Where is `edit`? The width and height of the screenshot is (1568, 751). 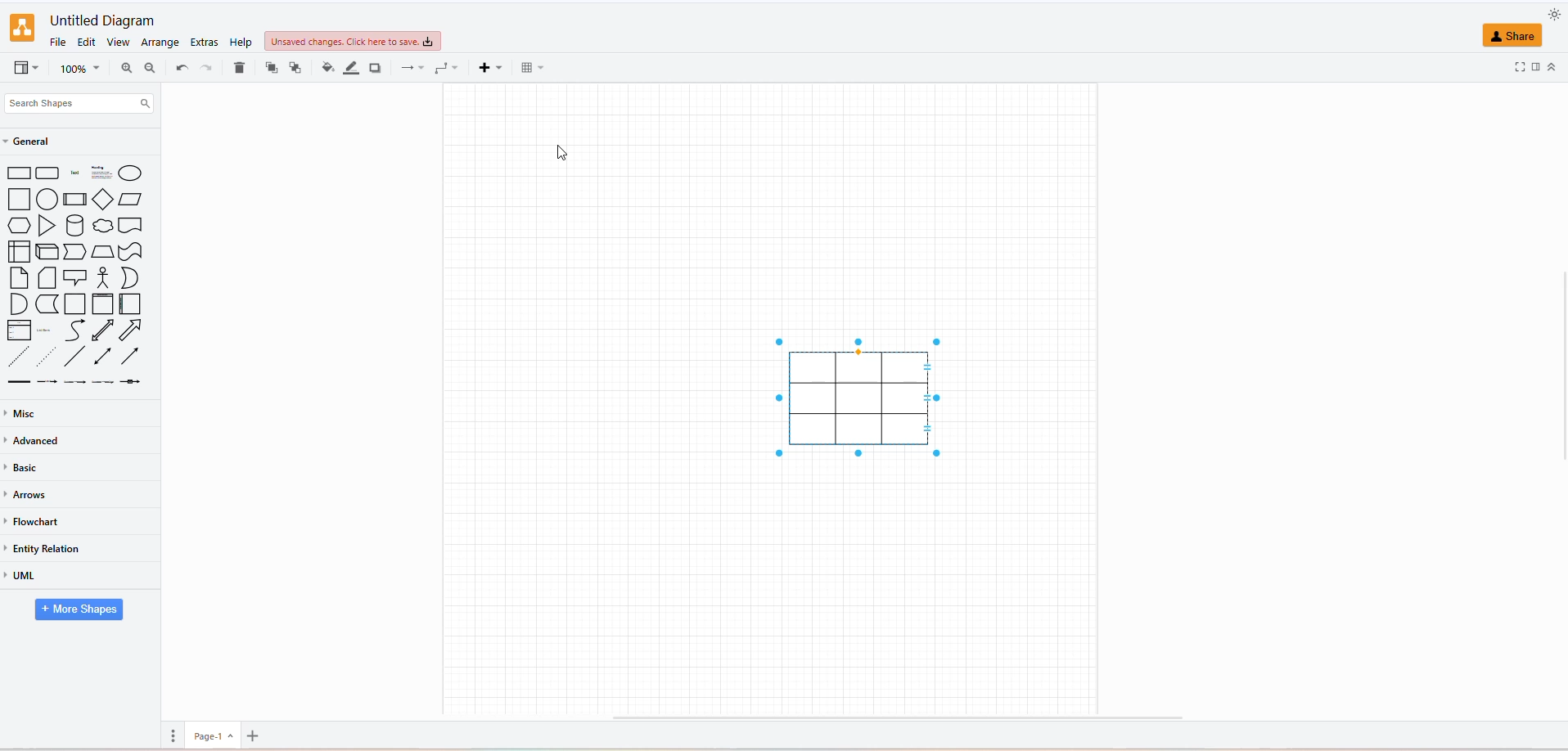
edit is located at coordinates (87, 41).